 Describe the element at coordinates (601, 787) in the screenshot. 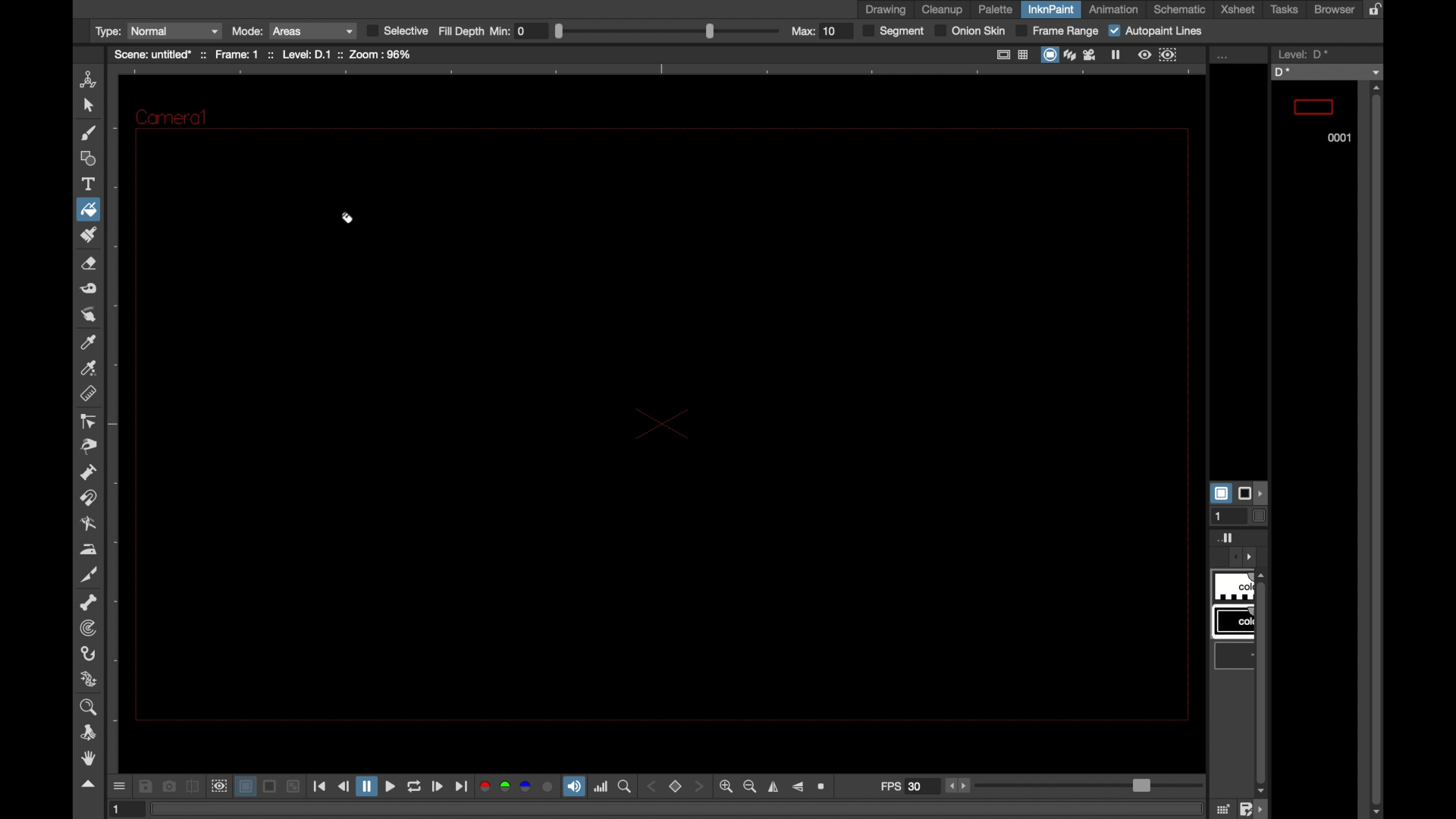

I see `histogram` at that location.